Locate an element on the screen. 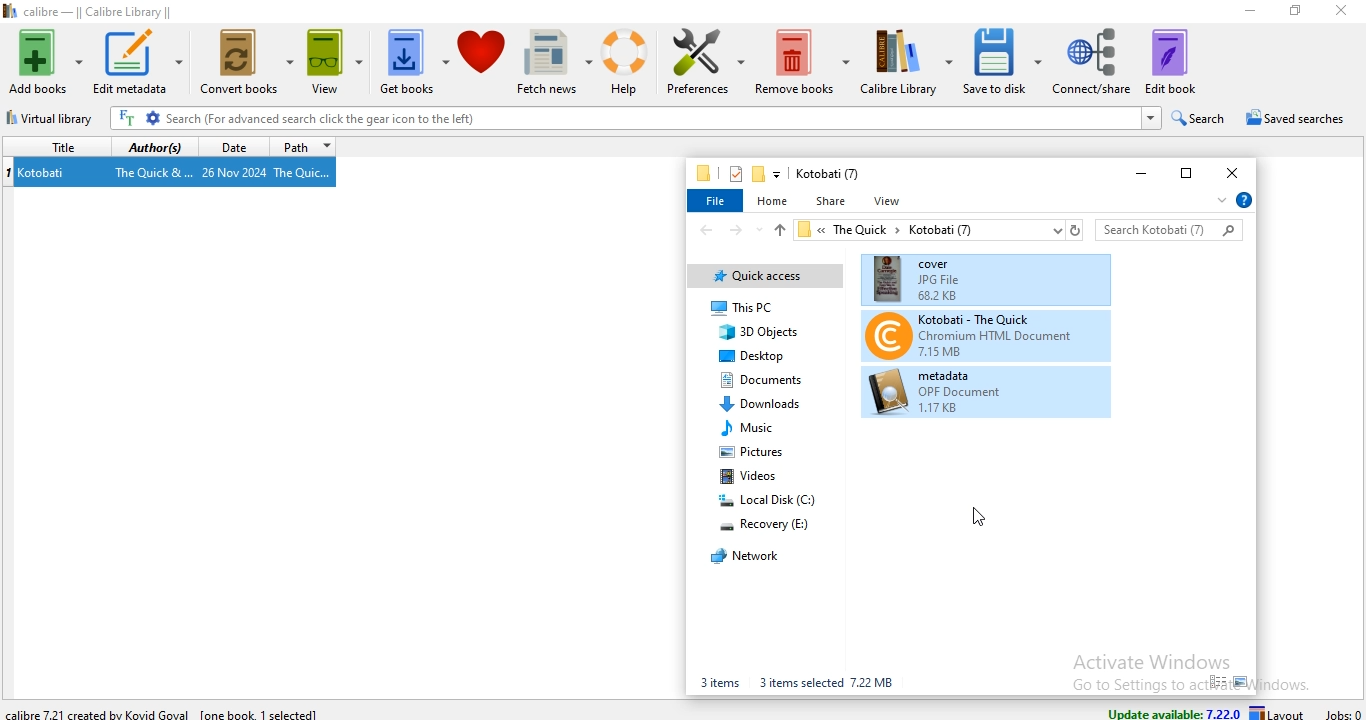 This screenshot has width=1366, height=720. fetch news is located at coordinates (554, 60).